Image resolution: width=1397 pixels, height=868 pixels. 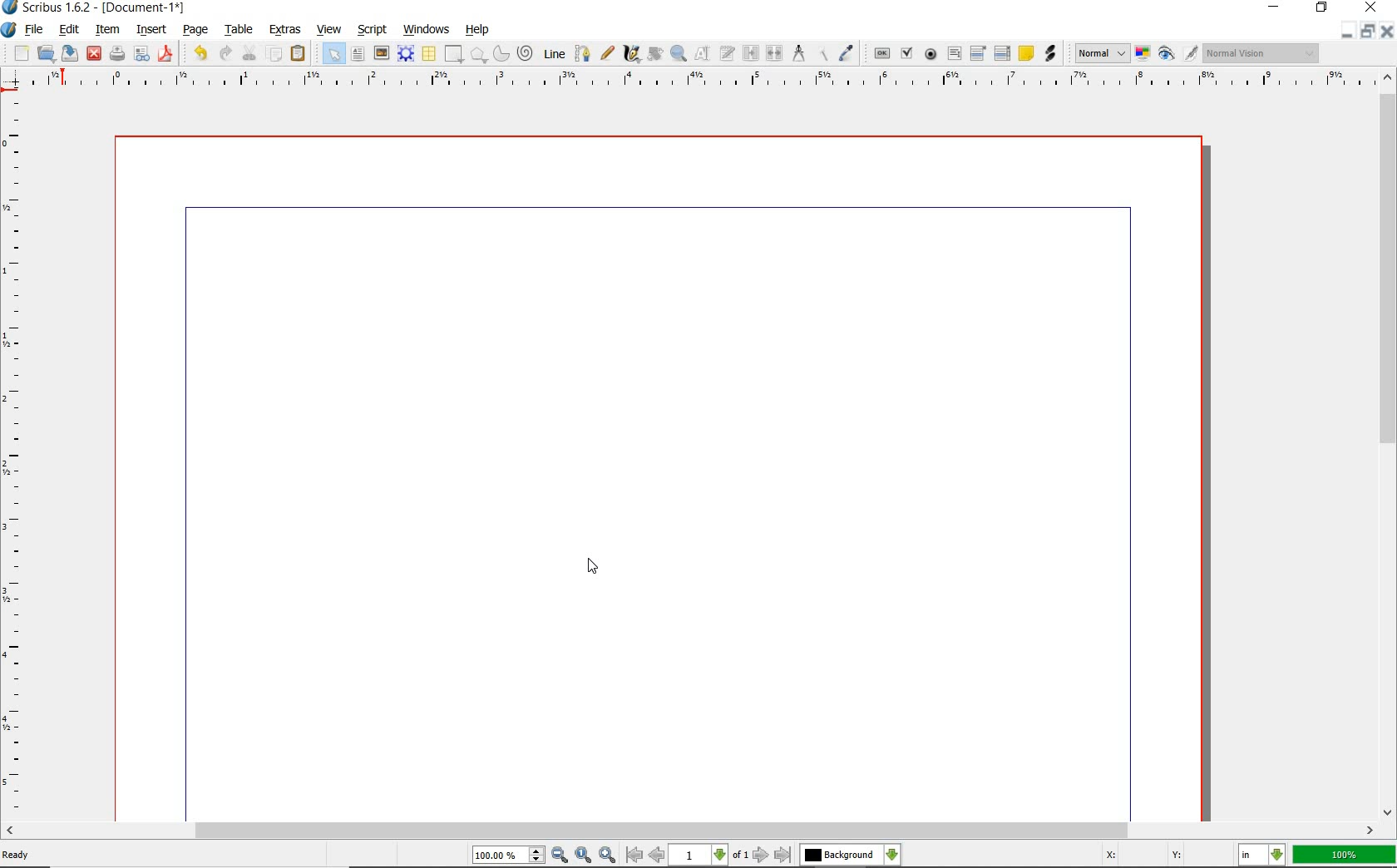 What do you see at coordinates (200, 53) in the screenshot?
I see `undo` at bounding box center [200, 53].